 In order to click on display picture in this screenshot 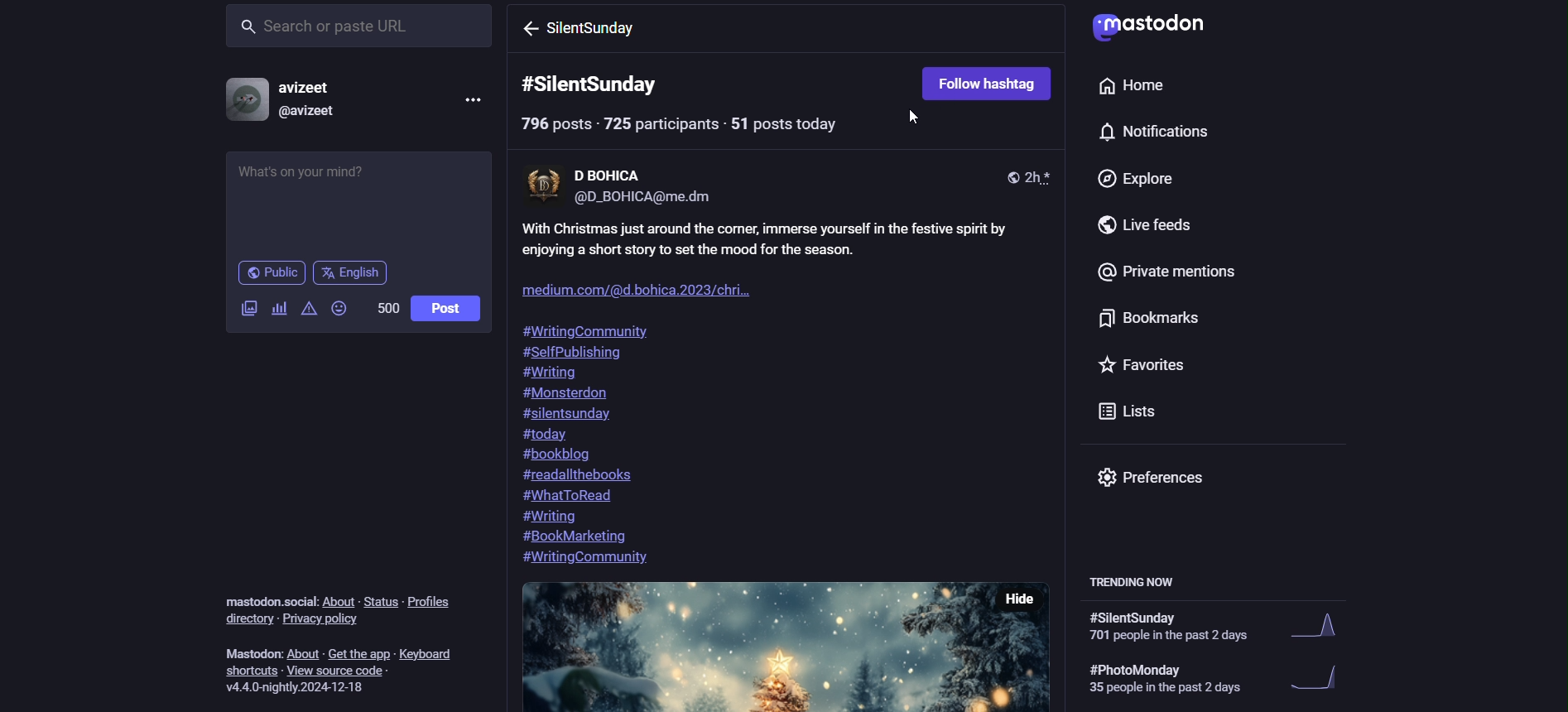, I will do `click(541, 186)`.